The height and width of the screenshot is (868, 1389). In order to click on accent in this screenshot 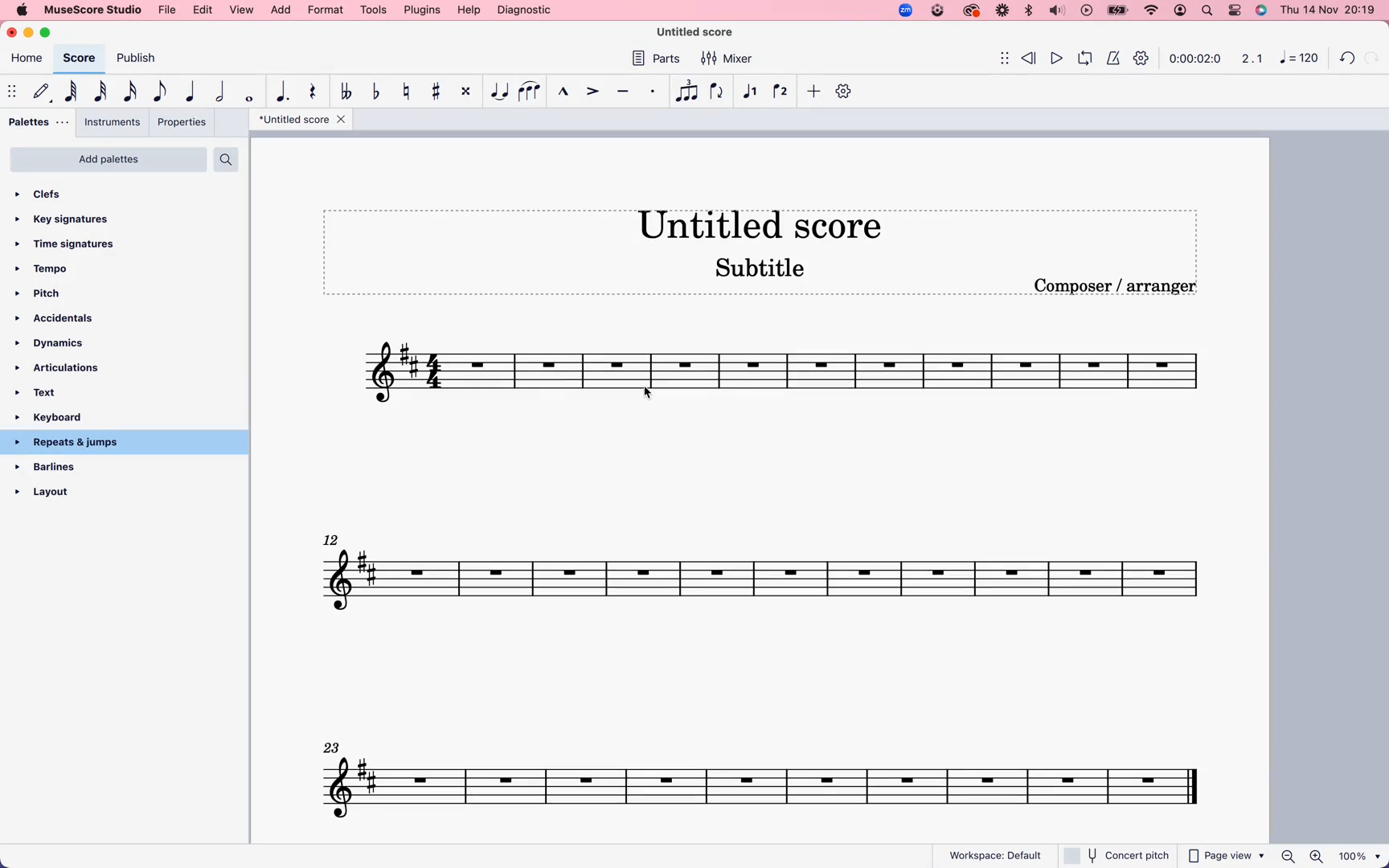, I will do `click(594, 91)`.